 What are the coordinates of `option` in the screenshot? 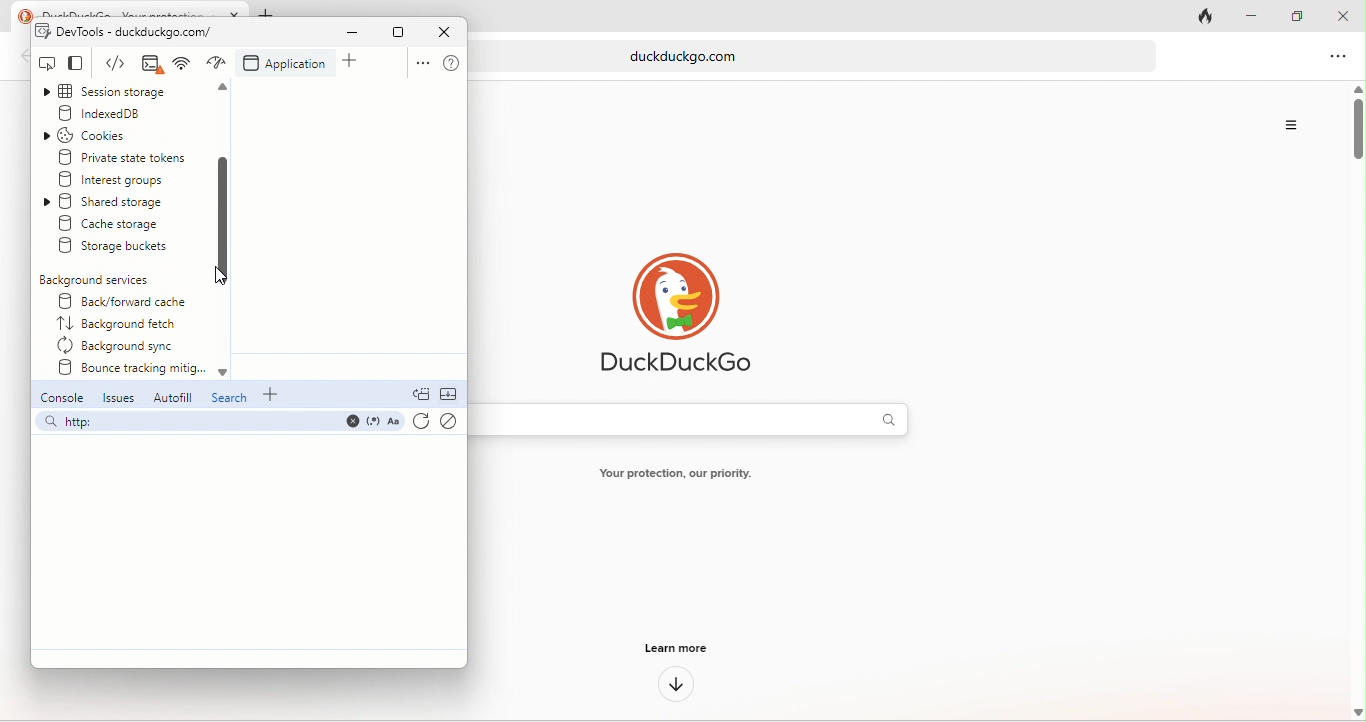 It's located at (419, 65).